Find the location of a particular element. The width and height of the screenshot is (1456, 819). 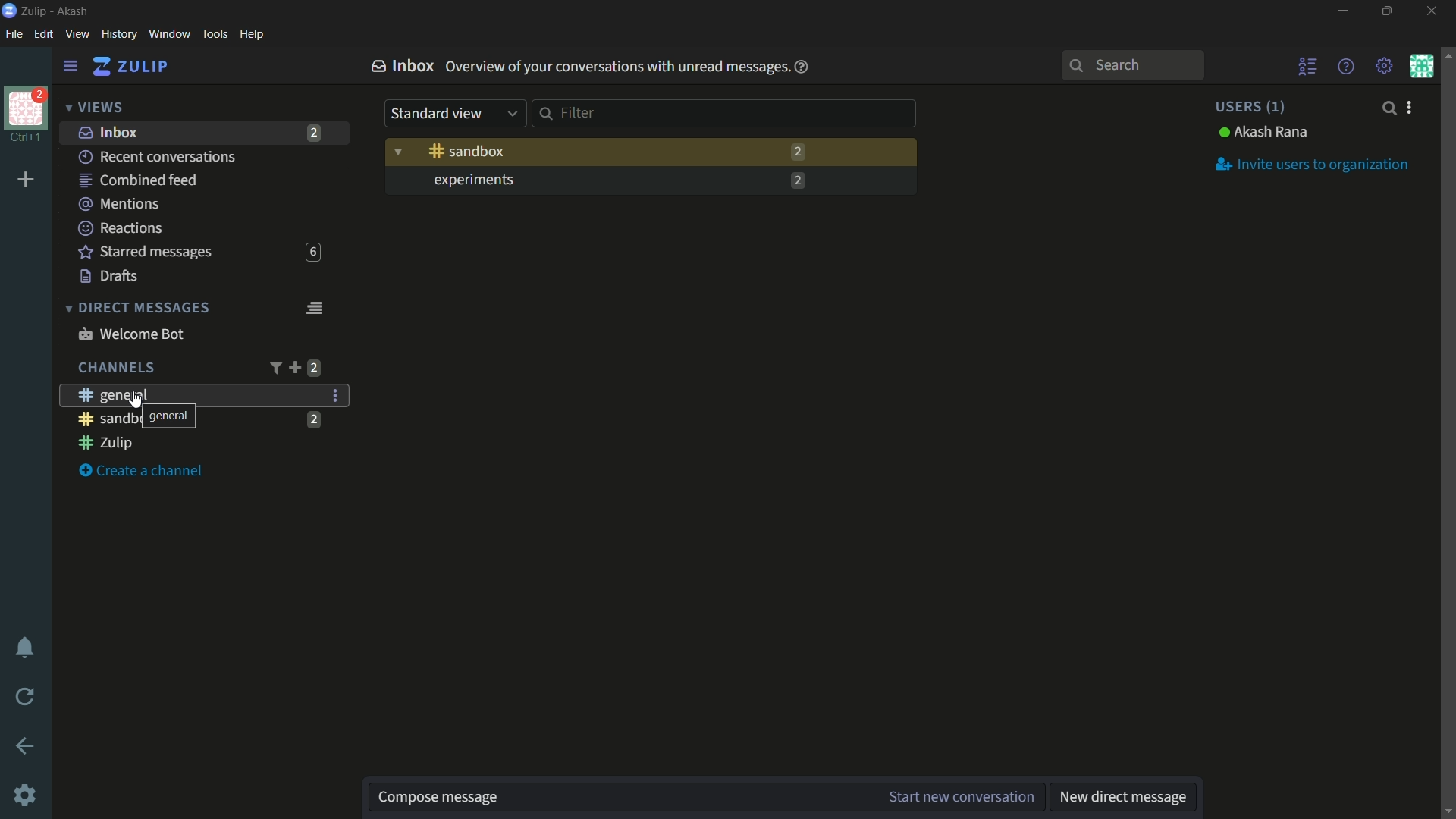

scroll down is located at coordinates (1447, 811).